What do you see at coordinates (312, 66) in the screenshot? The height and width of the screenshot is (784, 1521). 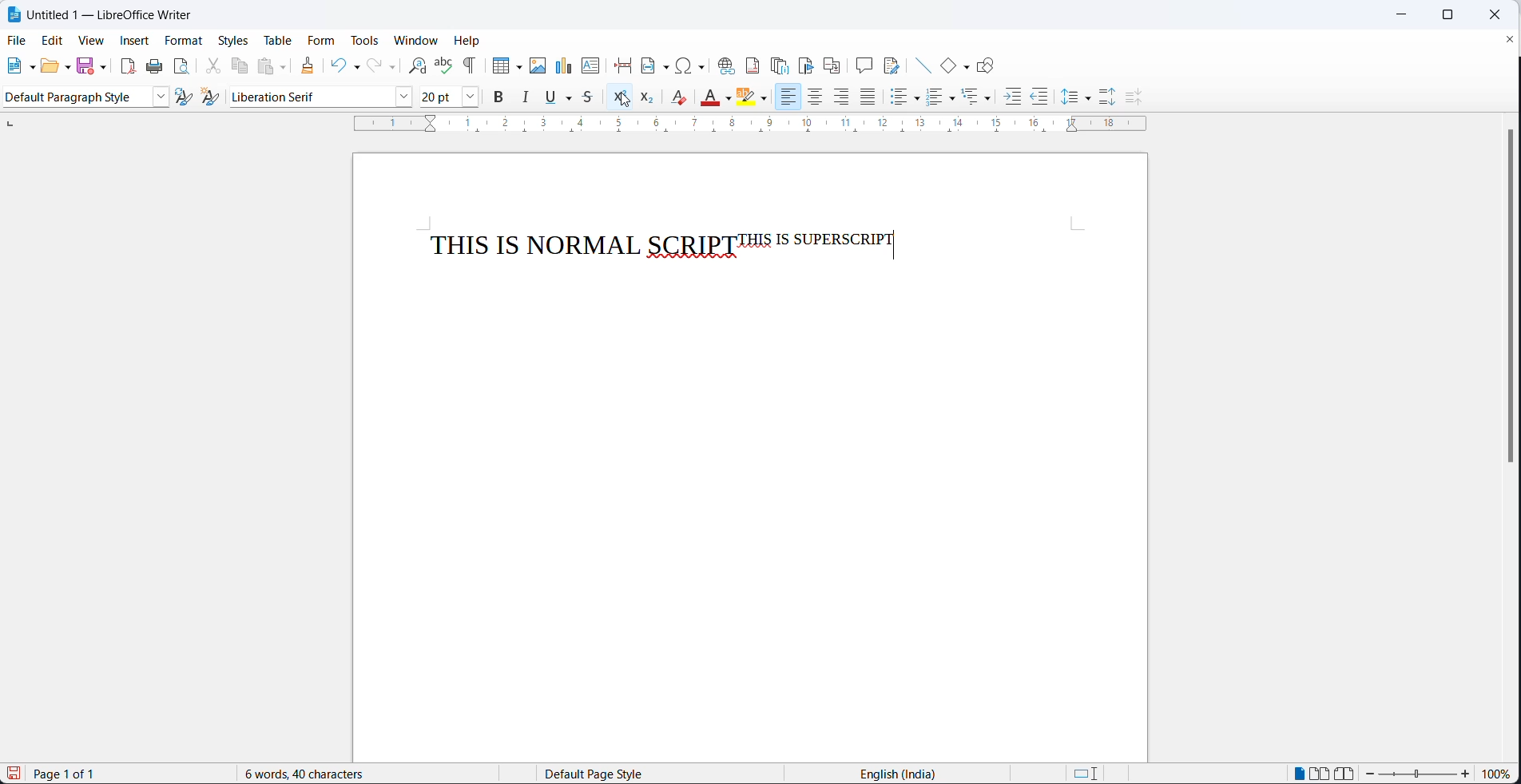 I see `clone formatting` at bounding box center [312, 66].